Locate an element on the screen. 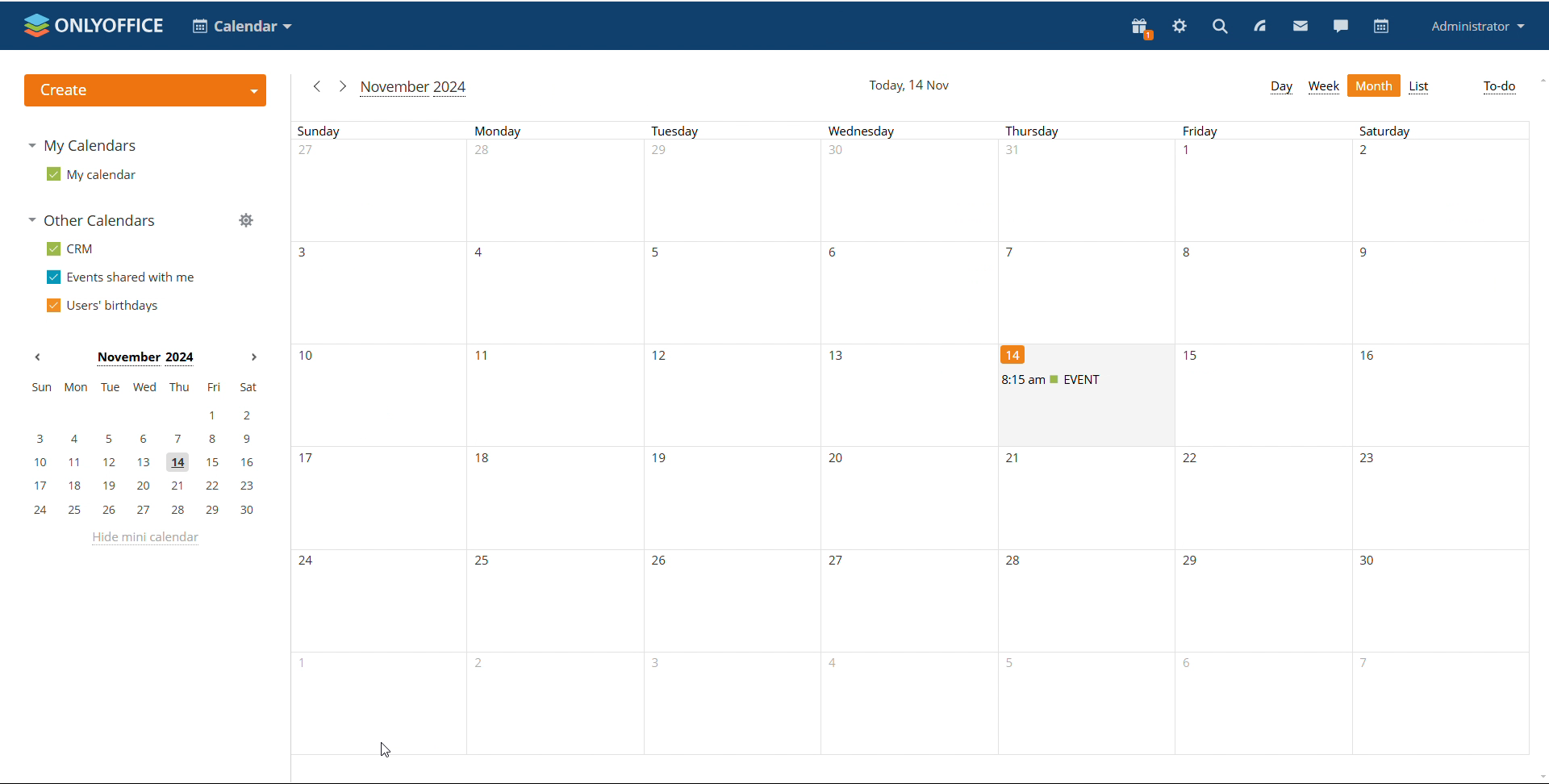 The height and width of the screenshot is (784, 1549). day view is located at coordinates (1281, 88).